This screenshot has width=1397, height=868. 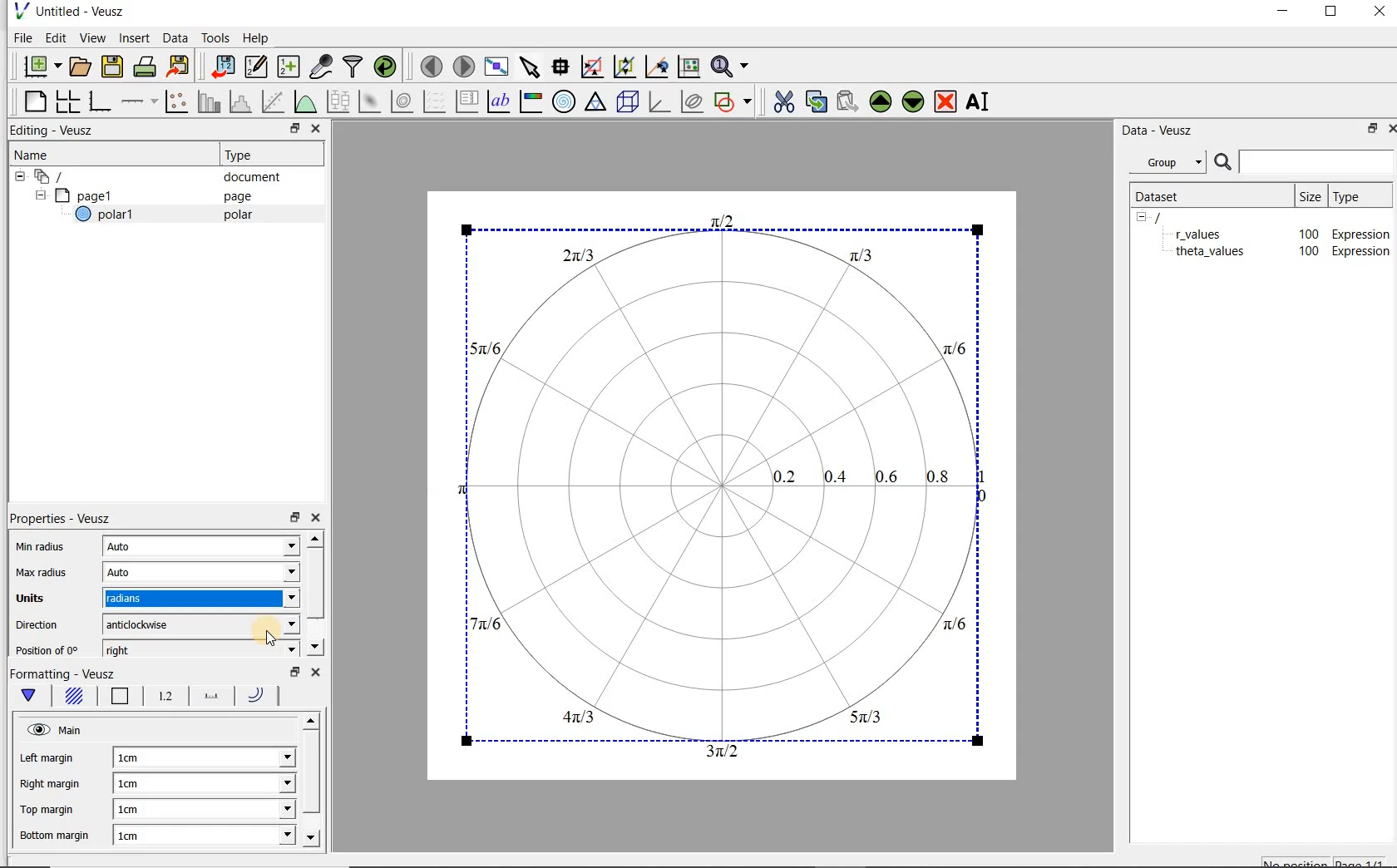 What do you see at coordinates (136, 37) in the screenshot?
I see `Insert` at bounding box center [136, 37].